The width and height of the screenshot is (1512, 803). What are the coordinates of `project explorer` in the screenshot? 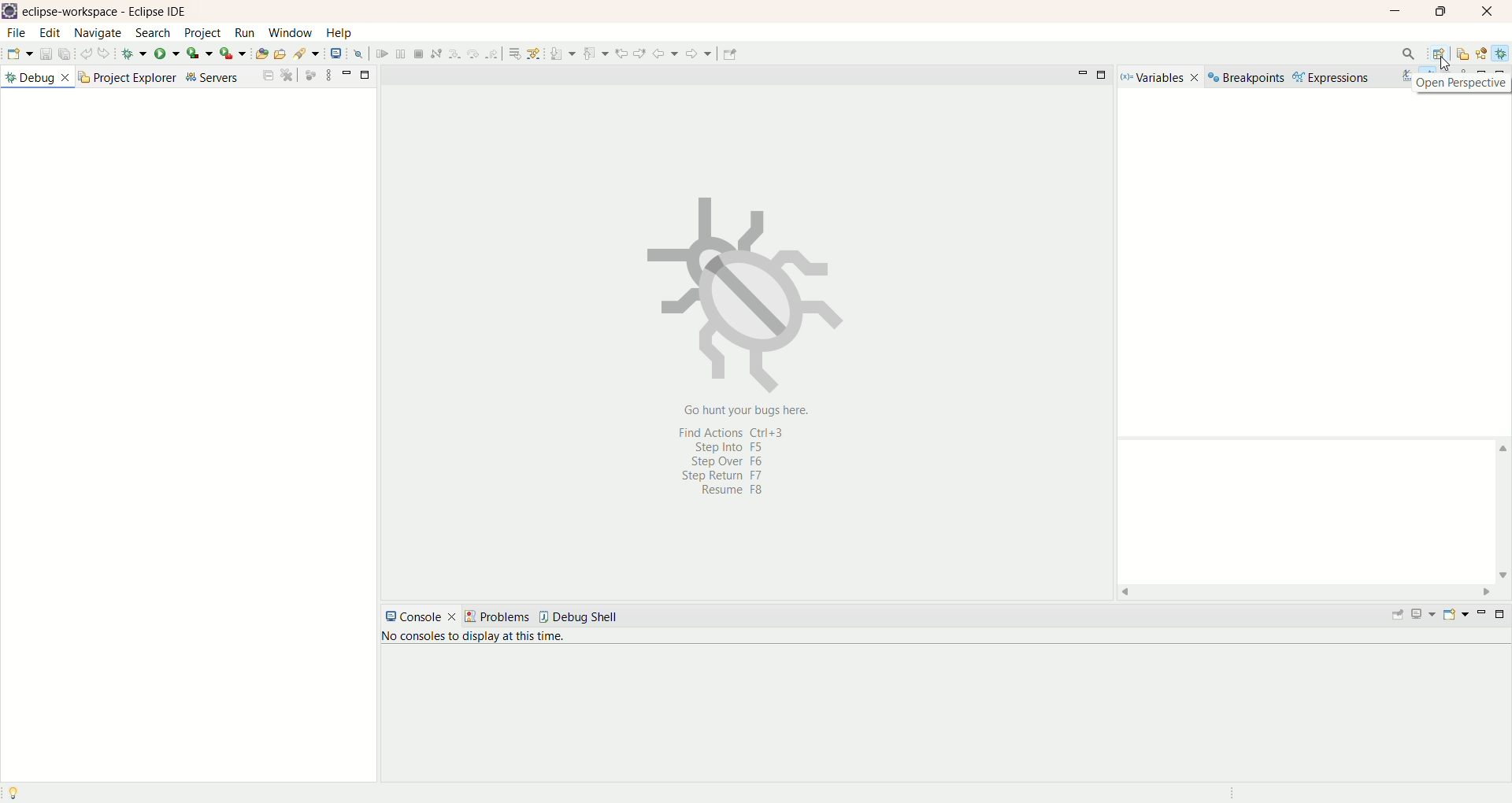 It's located at (127, 80).